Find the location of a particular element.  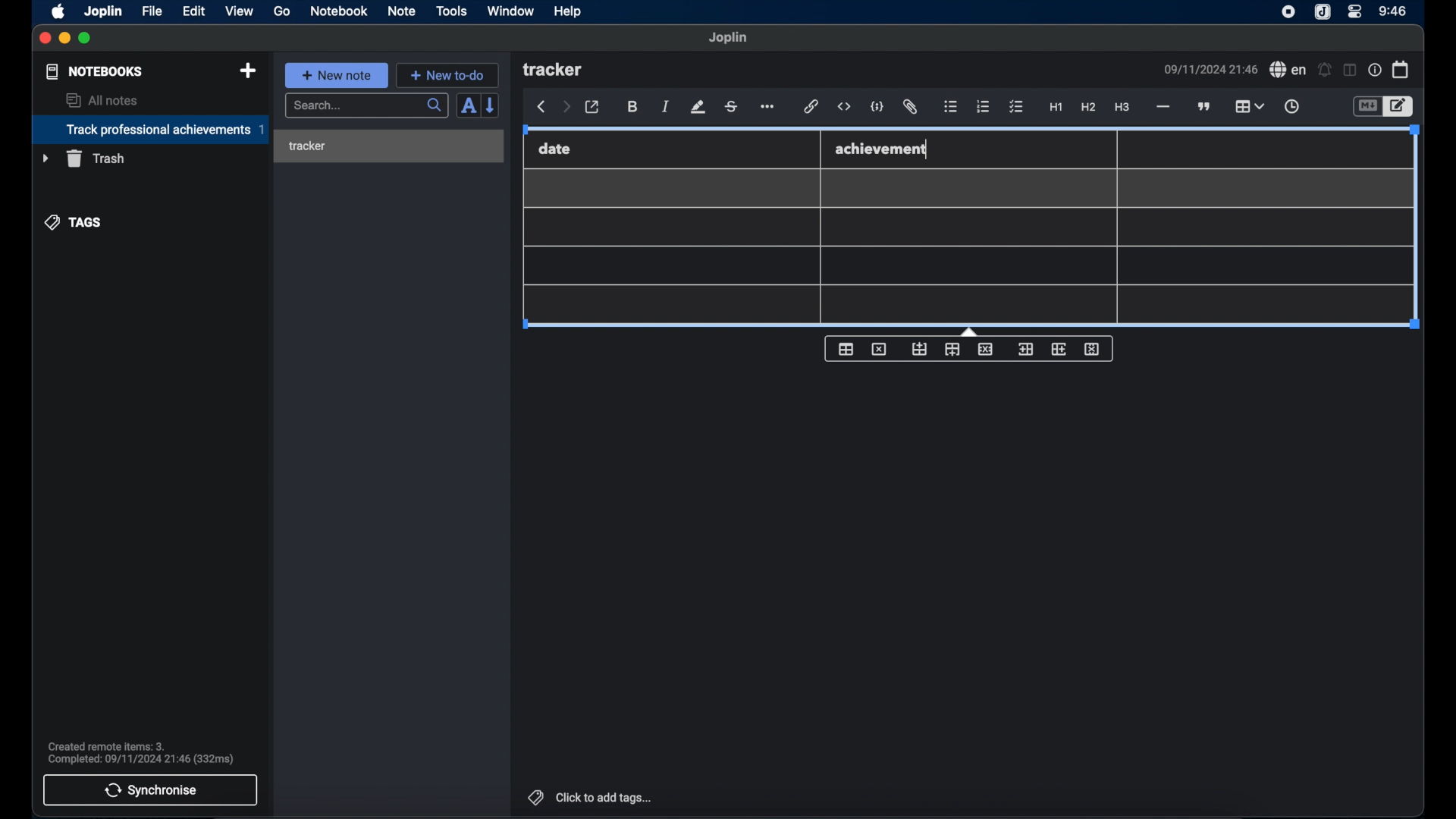

bulleted list is located at coordinates (951, 108).